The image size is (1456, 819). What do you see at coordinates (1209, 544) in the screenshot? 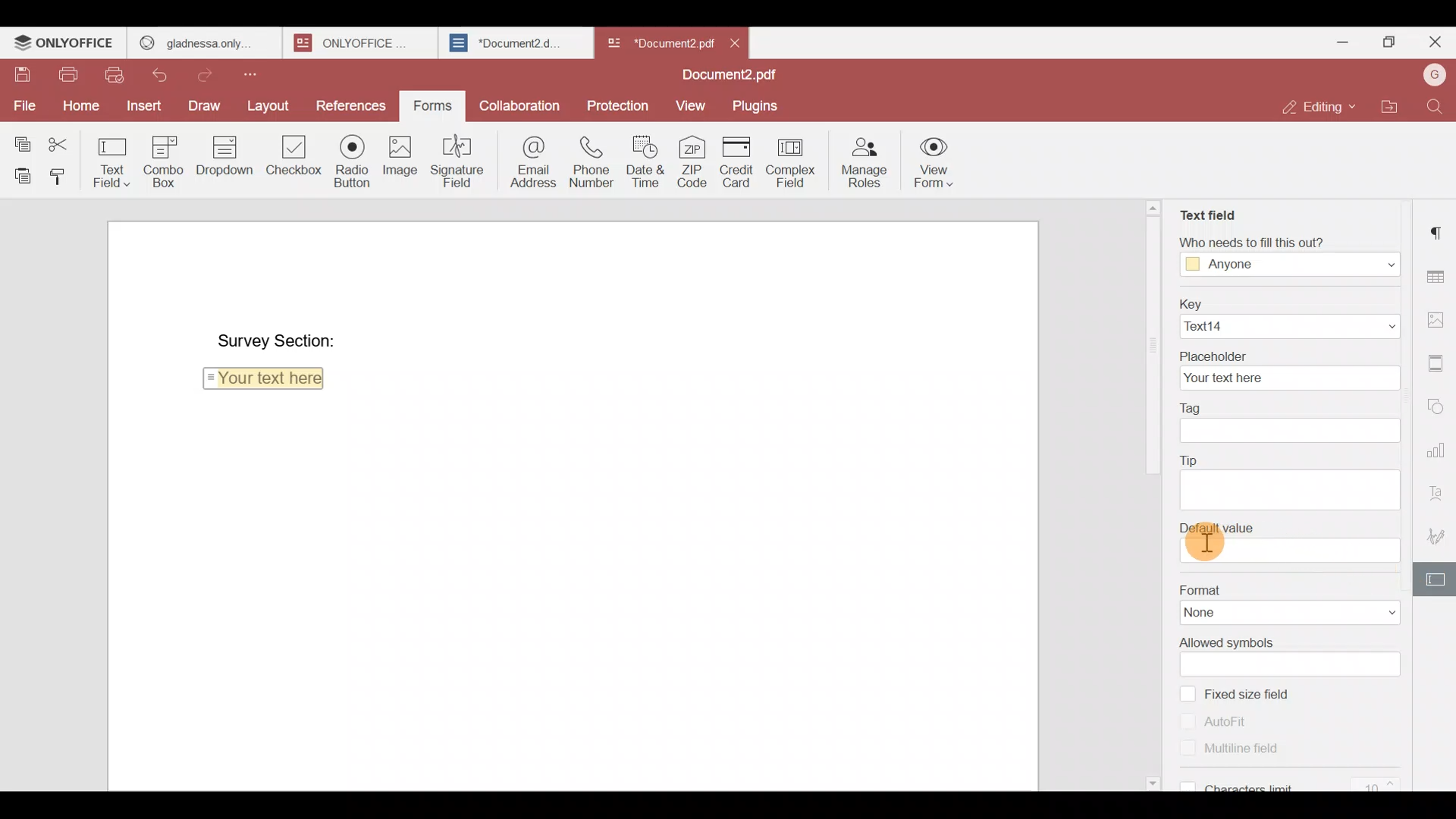
I see `text cursor` at bounding box center [1209, 544].